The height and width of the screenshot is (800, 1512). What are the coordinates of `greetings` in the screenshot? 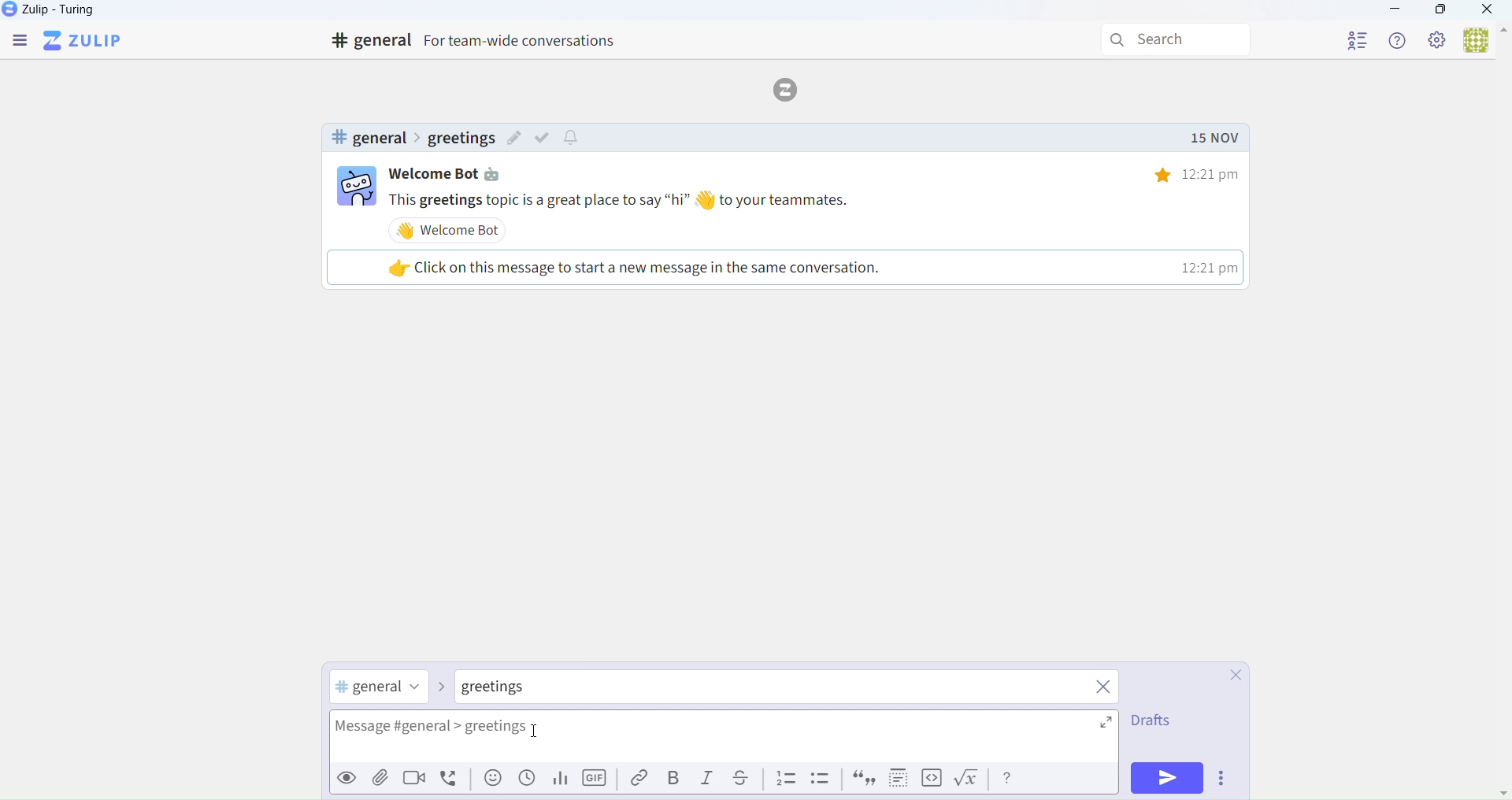 It's located at (460, 139).